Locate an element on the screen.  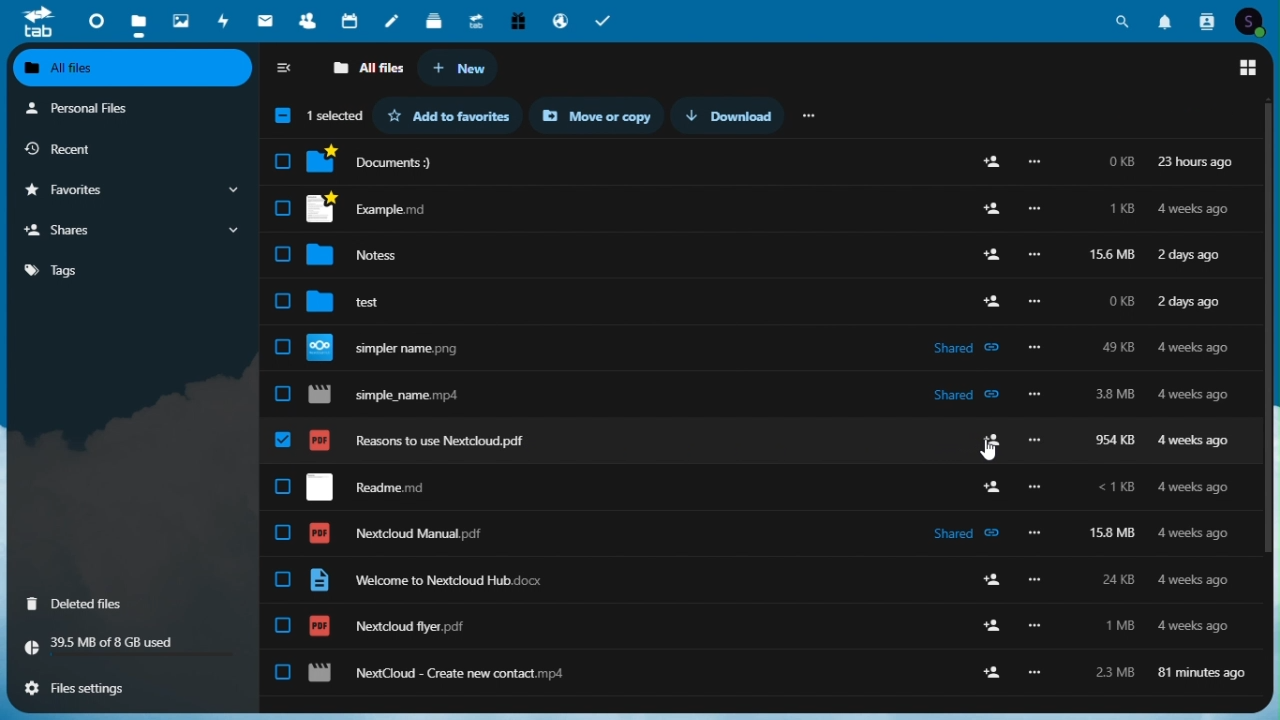
tab is located at coordinates (33, 22).